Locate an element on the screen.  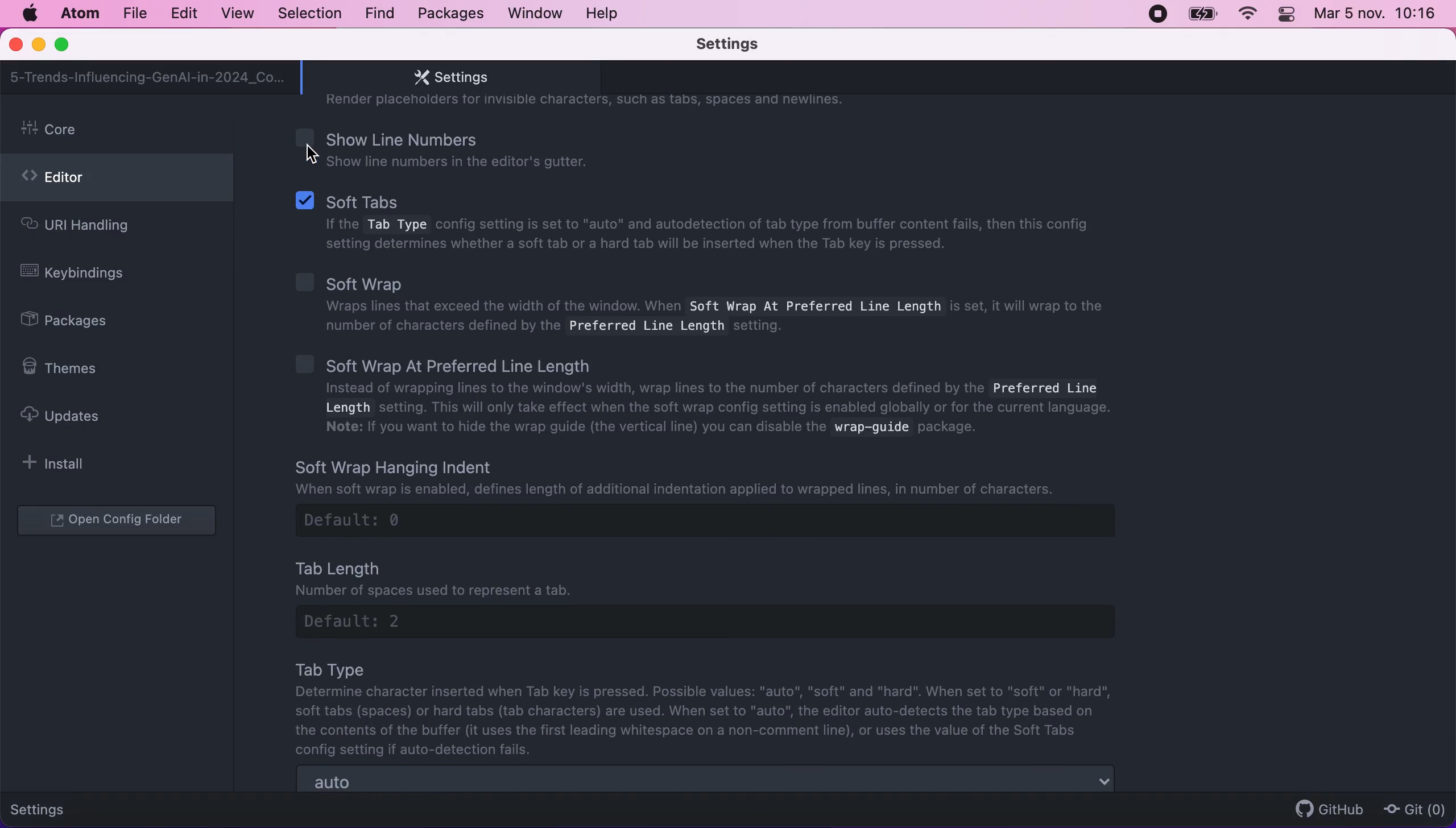
recording stopped is located at coordinates (1156, 13).